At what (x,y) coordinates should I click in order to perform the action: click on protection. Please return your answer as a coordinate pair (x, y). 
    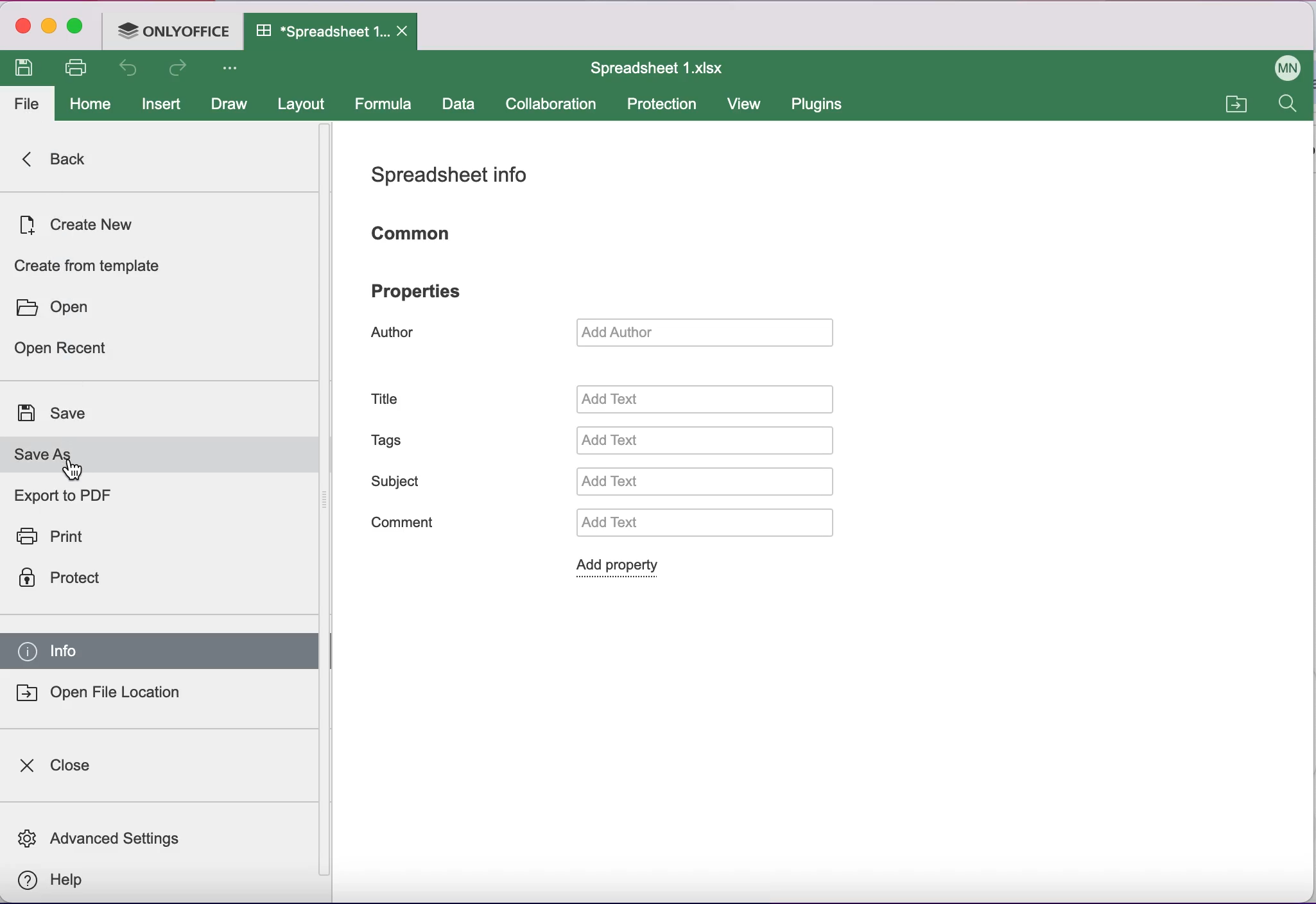
    Looking at the image, I should click on (666, 105).